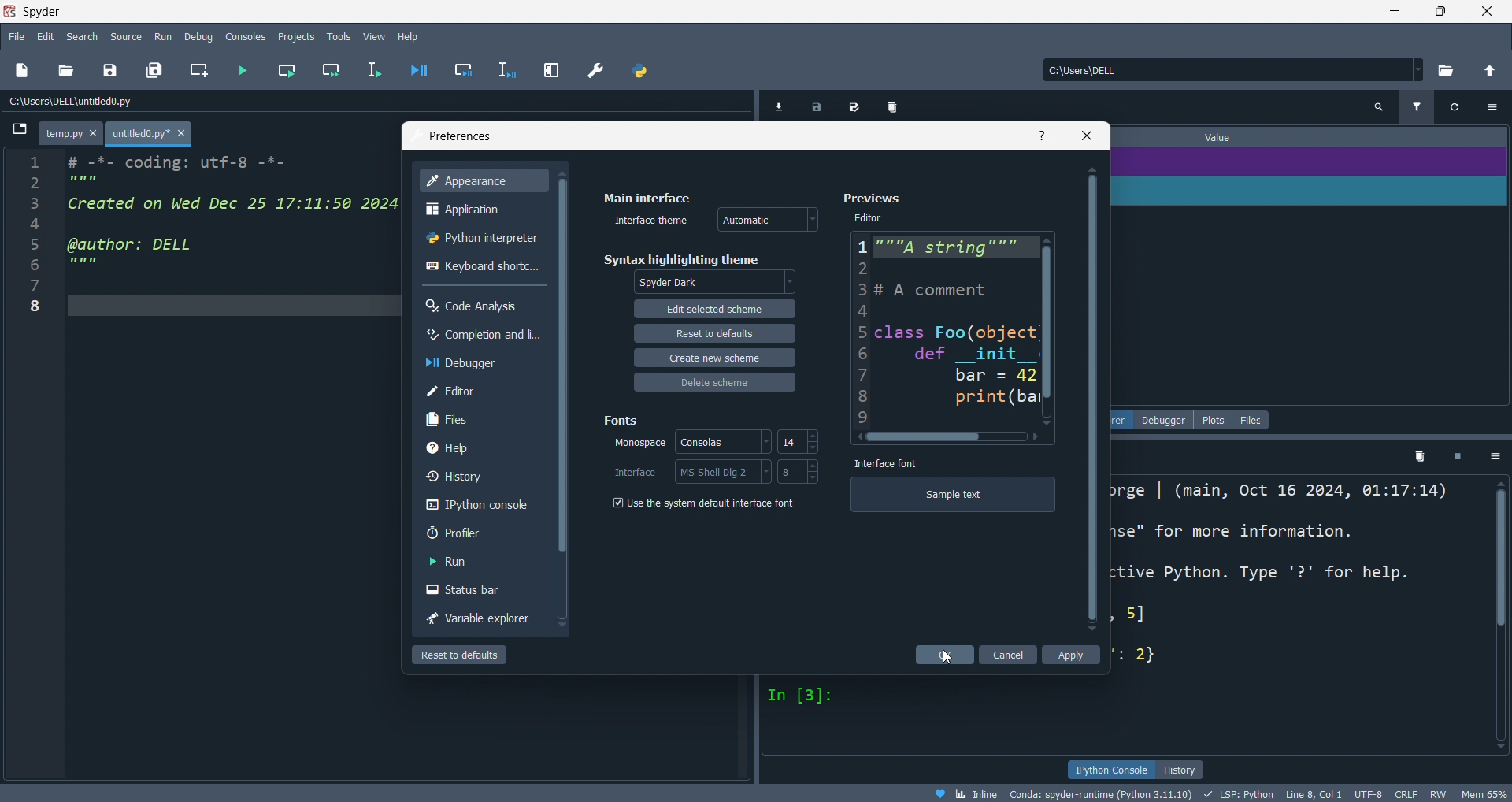  What do you see at coordinates (550, 71) in the screenshot?
I see `expand pane` at bounding box center [550, 71].